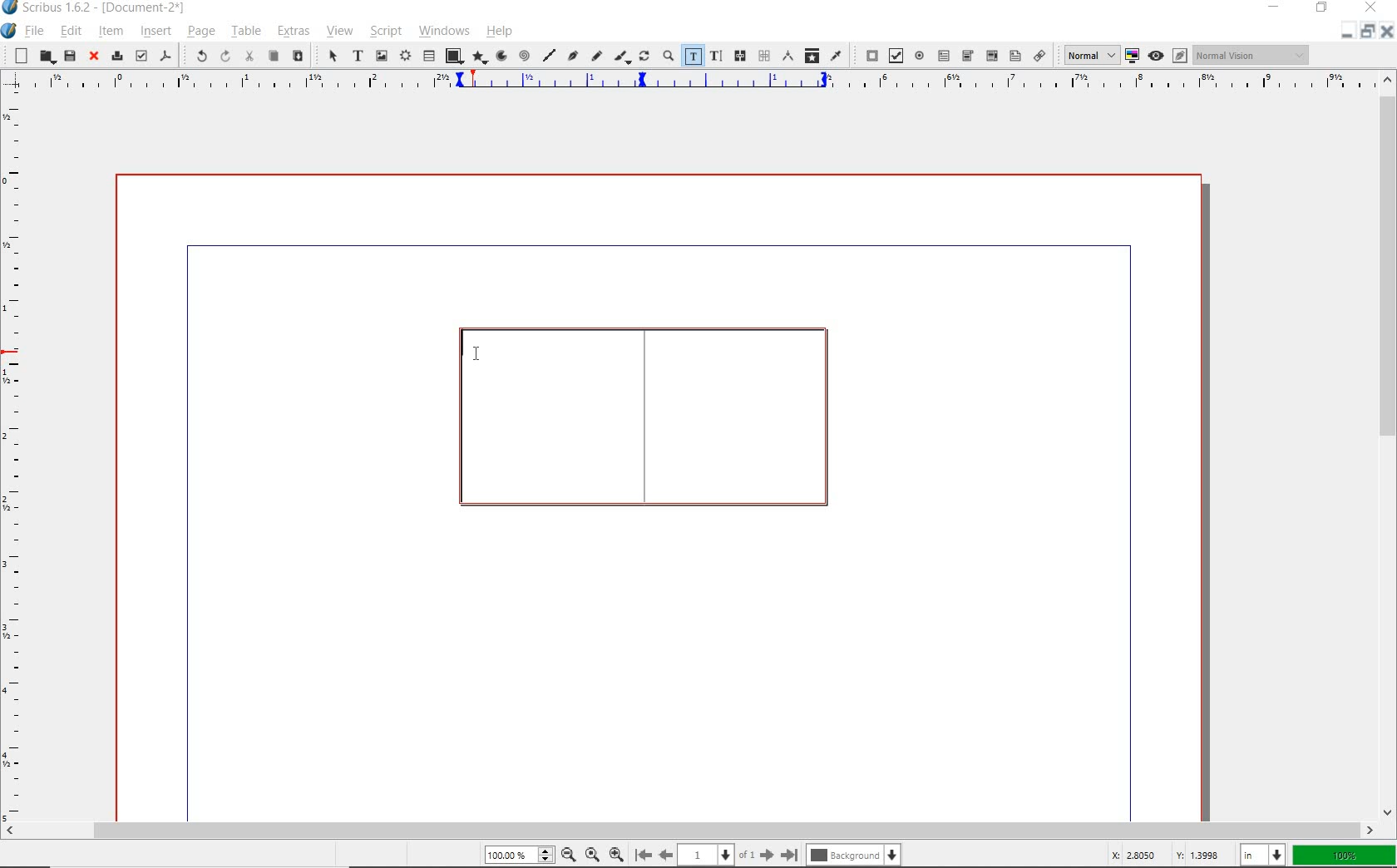 This screenshot has width=1397, height=868. What do you see at coordinates (748, 853) in the screenshot?
I see `of 1` at bounding box center [748, 853].